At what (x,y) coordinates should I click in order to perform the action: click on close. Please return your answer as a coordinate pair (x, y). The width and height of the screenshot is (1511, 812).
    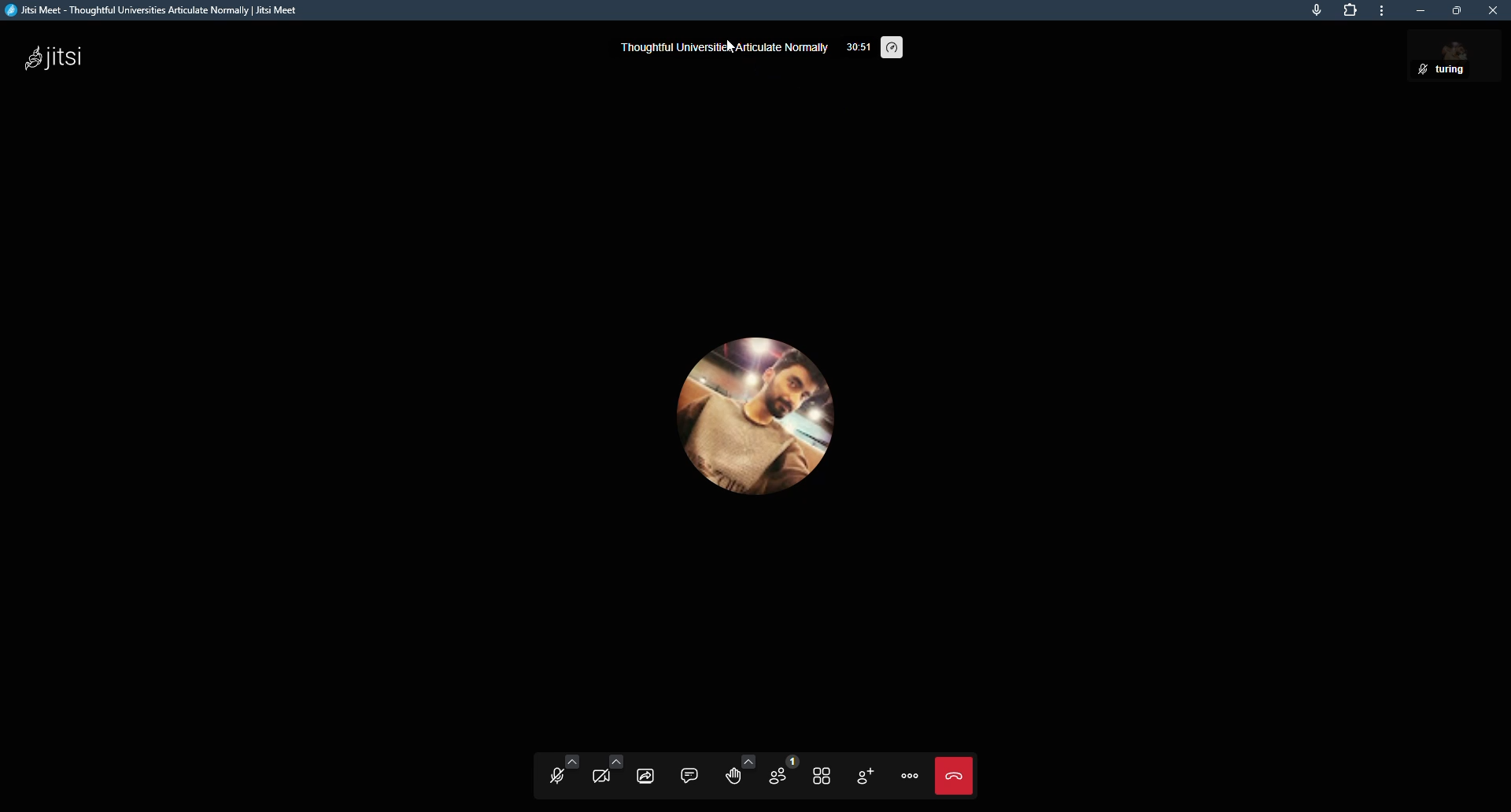
    Looking at the image, I should click on (1495, 10).